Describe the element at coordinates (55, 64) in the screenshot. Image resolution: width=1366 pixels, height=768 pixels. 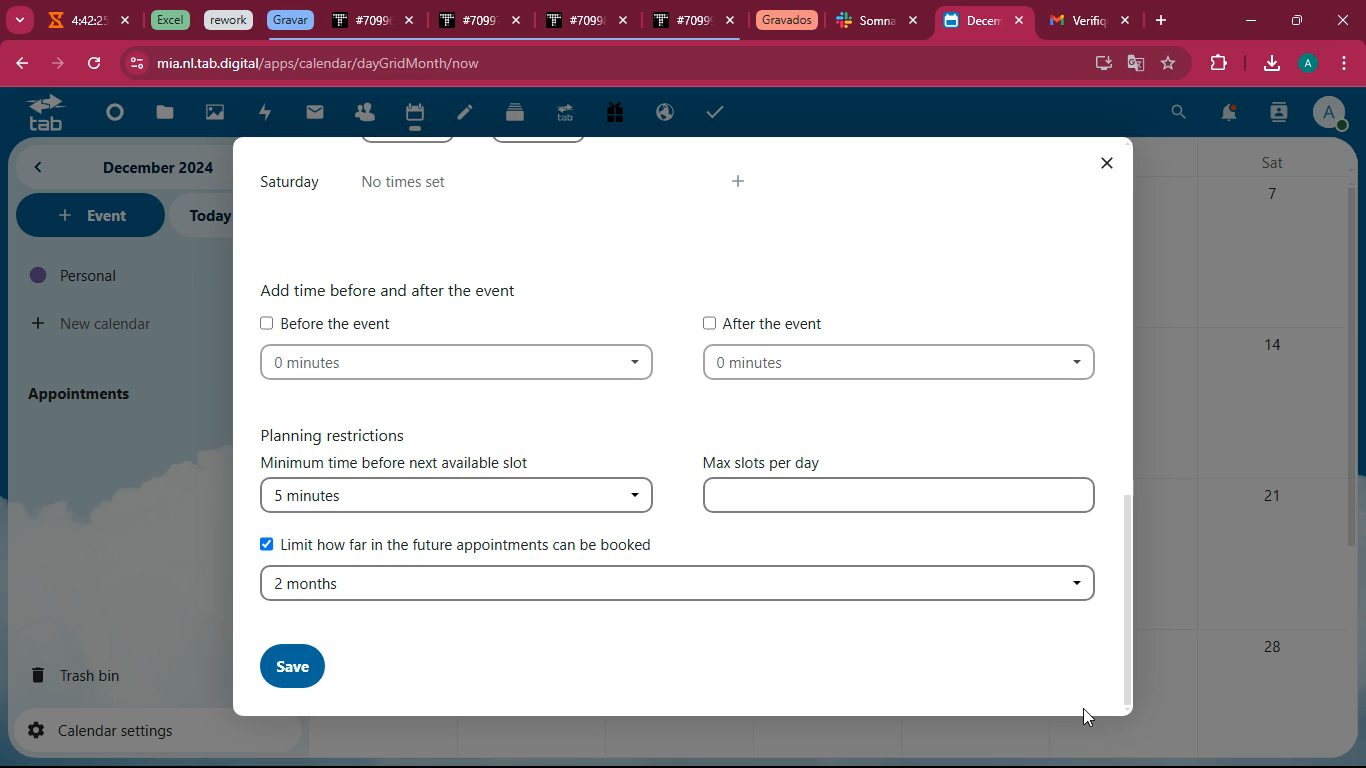
I see `forward` at that location.